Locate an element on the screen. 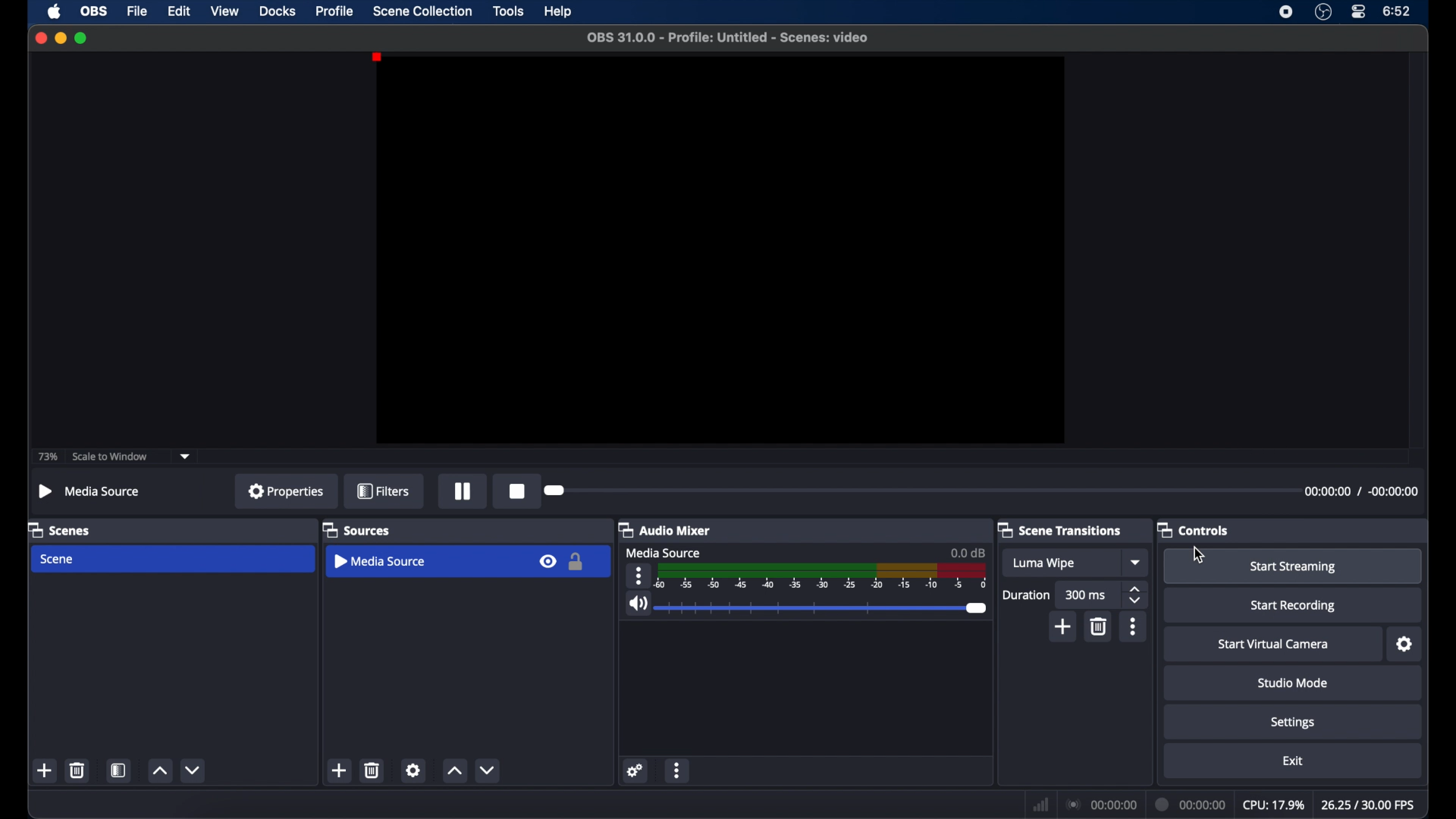 The width and height of the screenshot is (1456, 819). delete is located at coordinates (1100, 627).